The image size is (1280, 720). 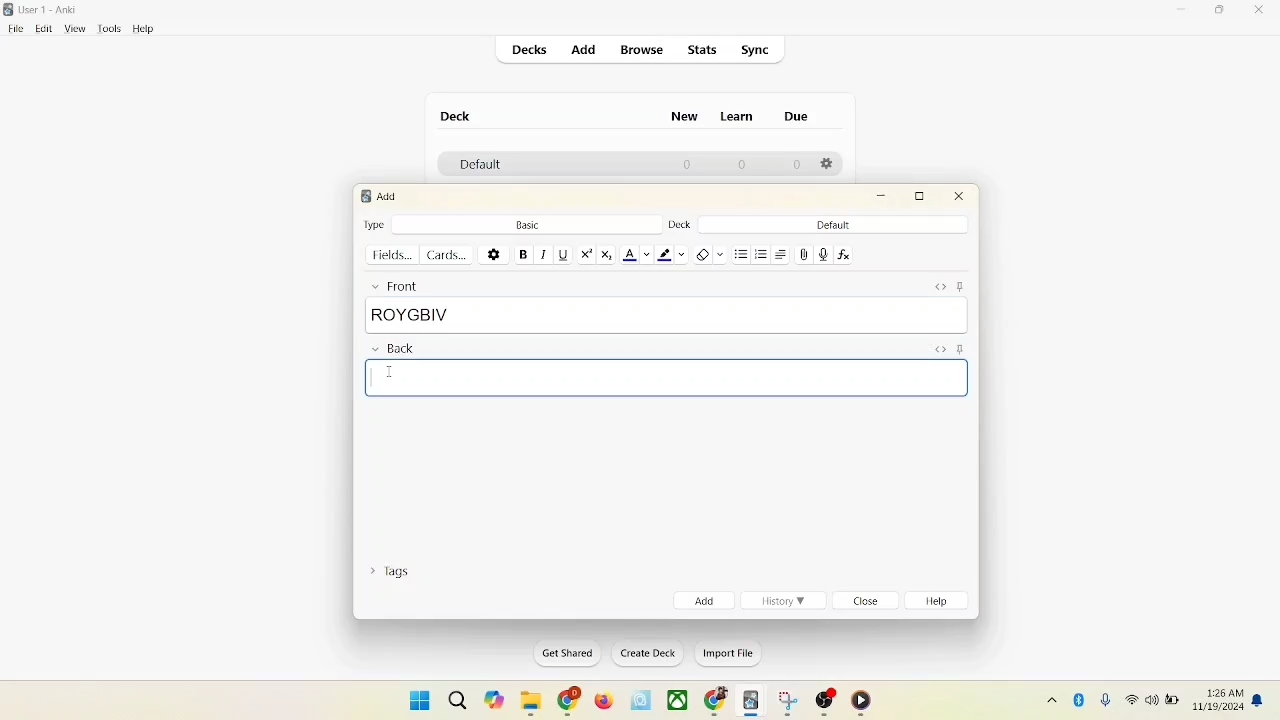 I want to click on User1-Anki, so click(x=52, y=10).